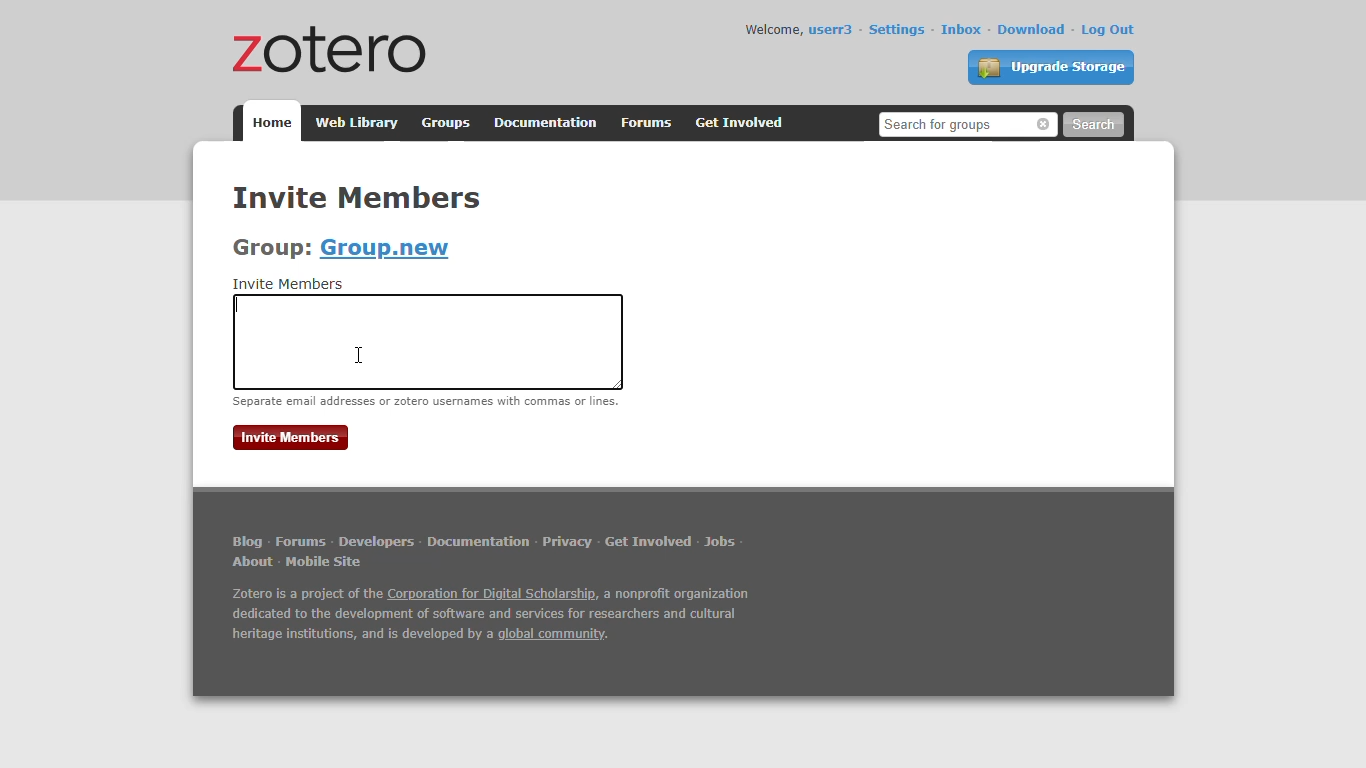 The height and width of the screenshot is (768, 1366). What do you see at coordinates (1050, 67) in the screenshot?
I see `upgrade storage` at bounding box center [1050, 67].